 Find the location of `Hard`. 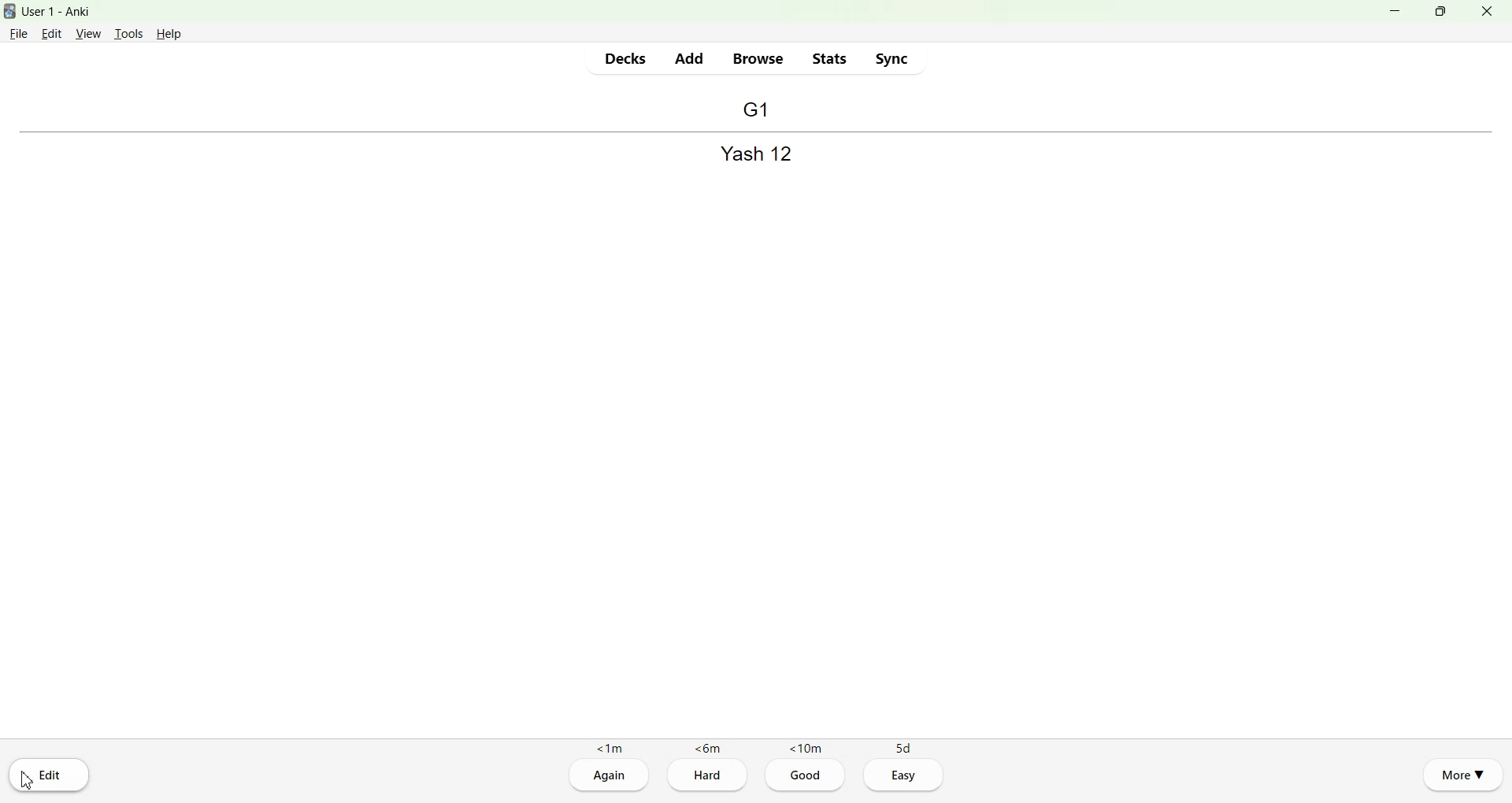

Hard is located at coordinates (707, 777).